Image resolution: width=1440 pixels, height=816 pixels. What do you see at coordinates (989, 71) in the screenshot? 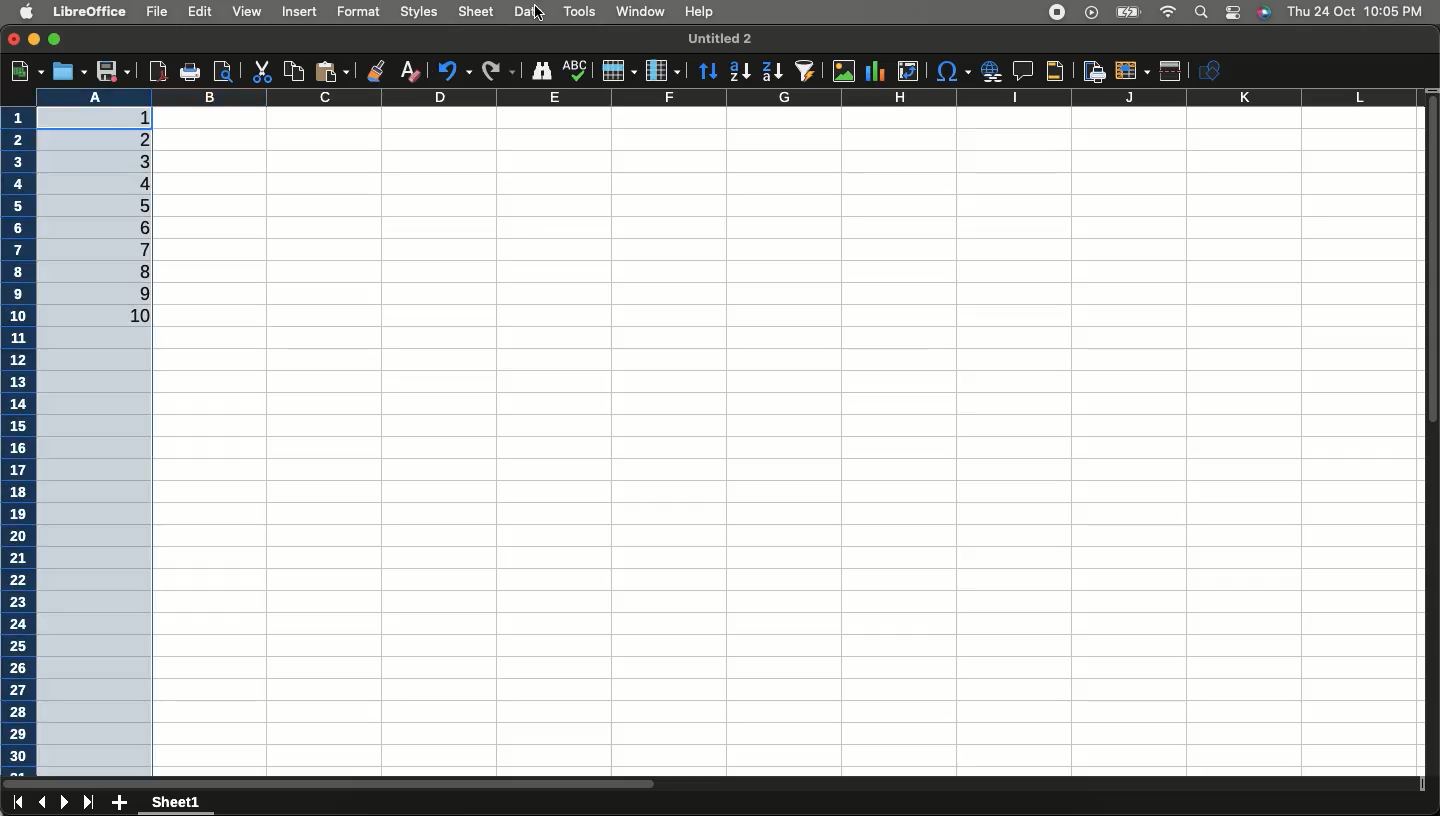
I see `Insert hyperlink` at bounding box center [989, 71].